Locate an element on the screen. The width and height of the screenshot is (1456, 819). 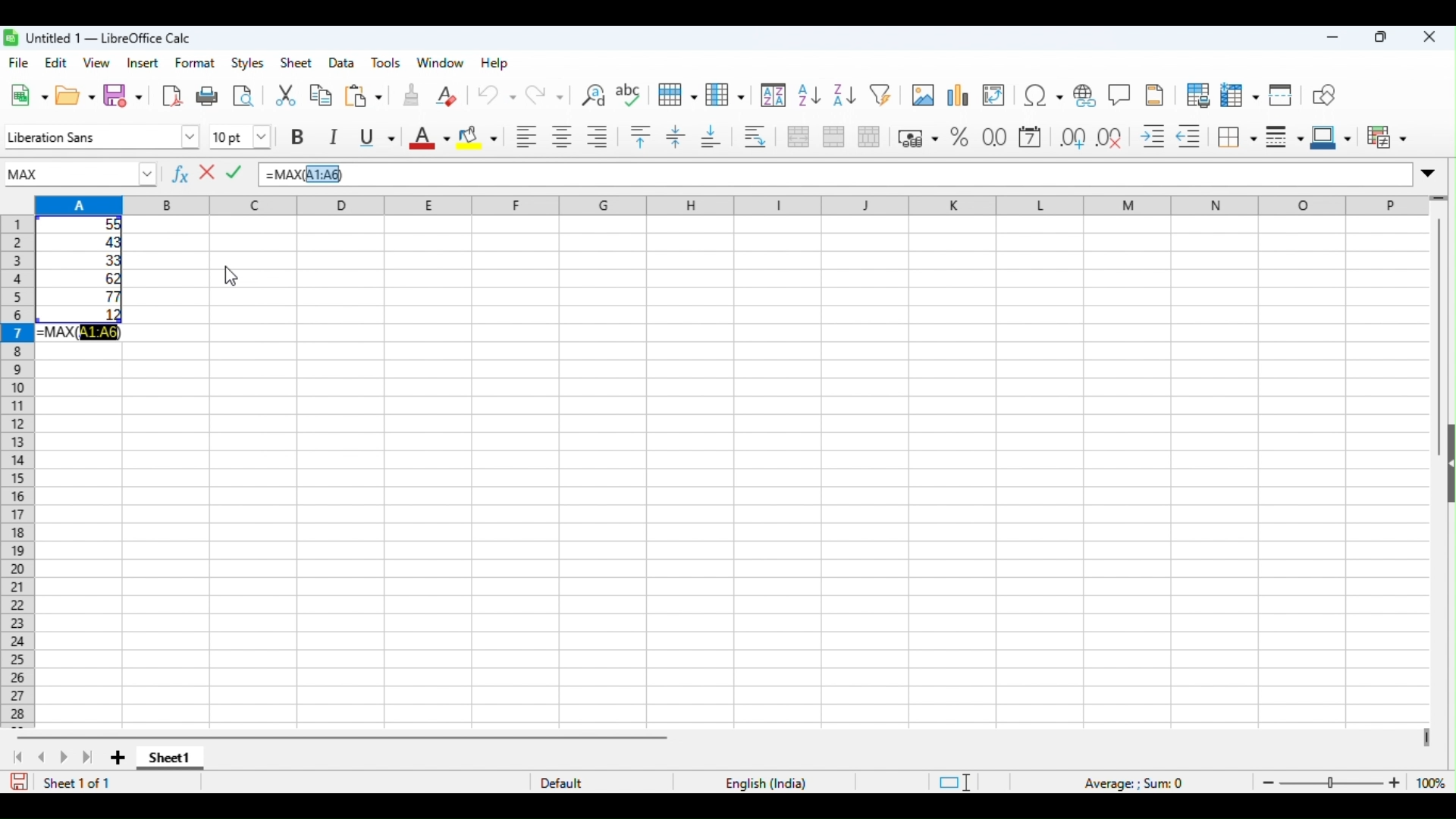
cursor movement is located at coordinates (229, 278).